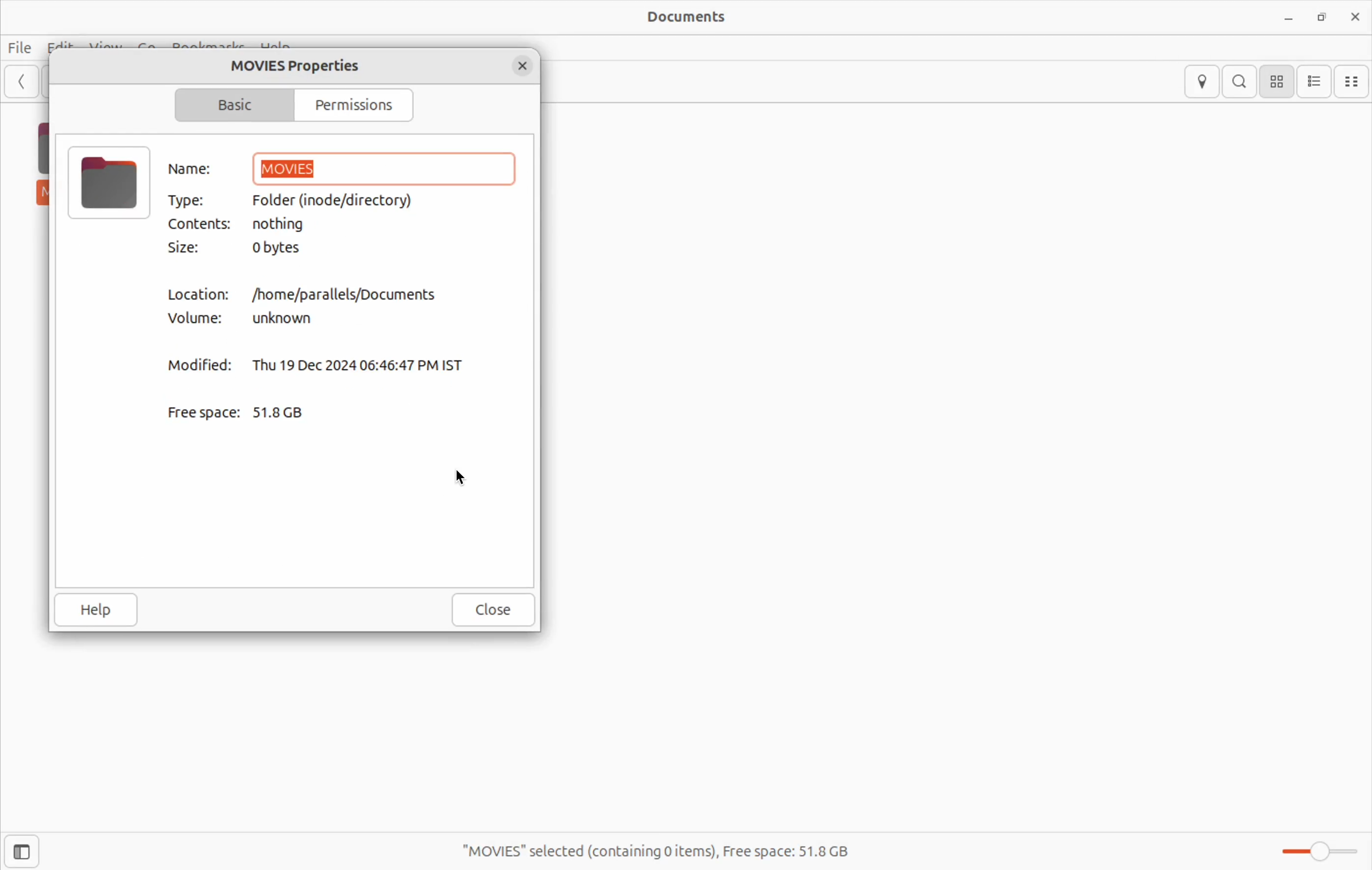  I want to click on close, so click(524, 64).